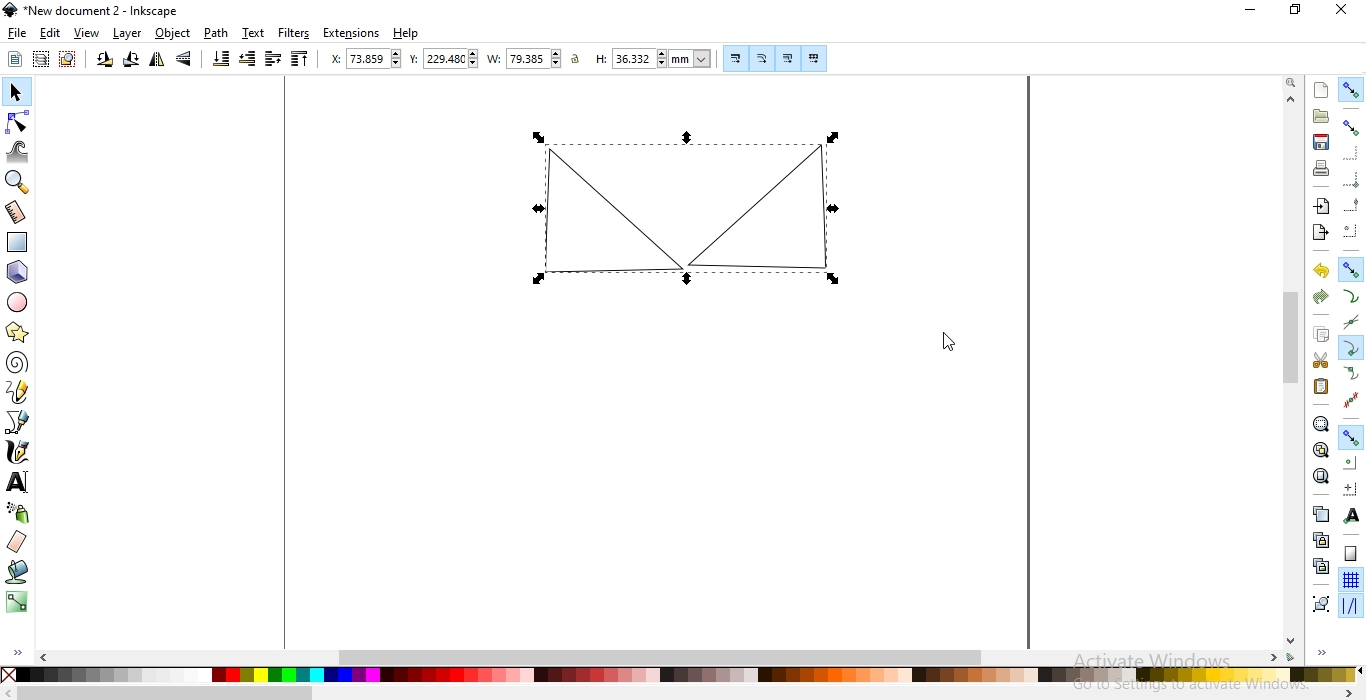 The width and height of the screenshot is (1366, 700). What do you see at coordinates (948, 342) in the screenshot?
I see `cursor` at bounding box center [948, 342].